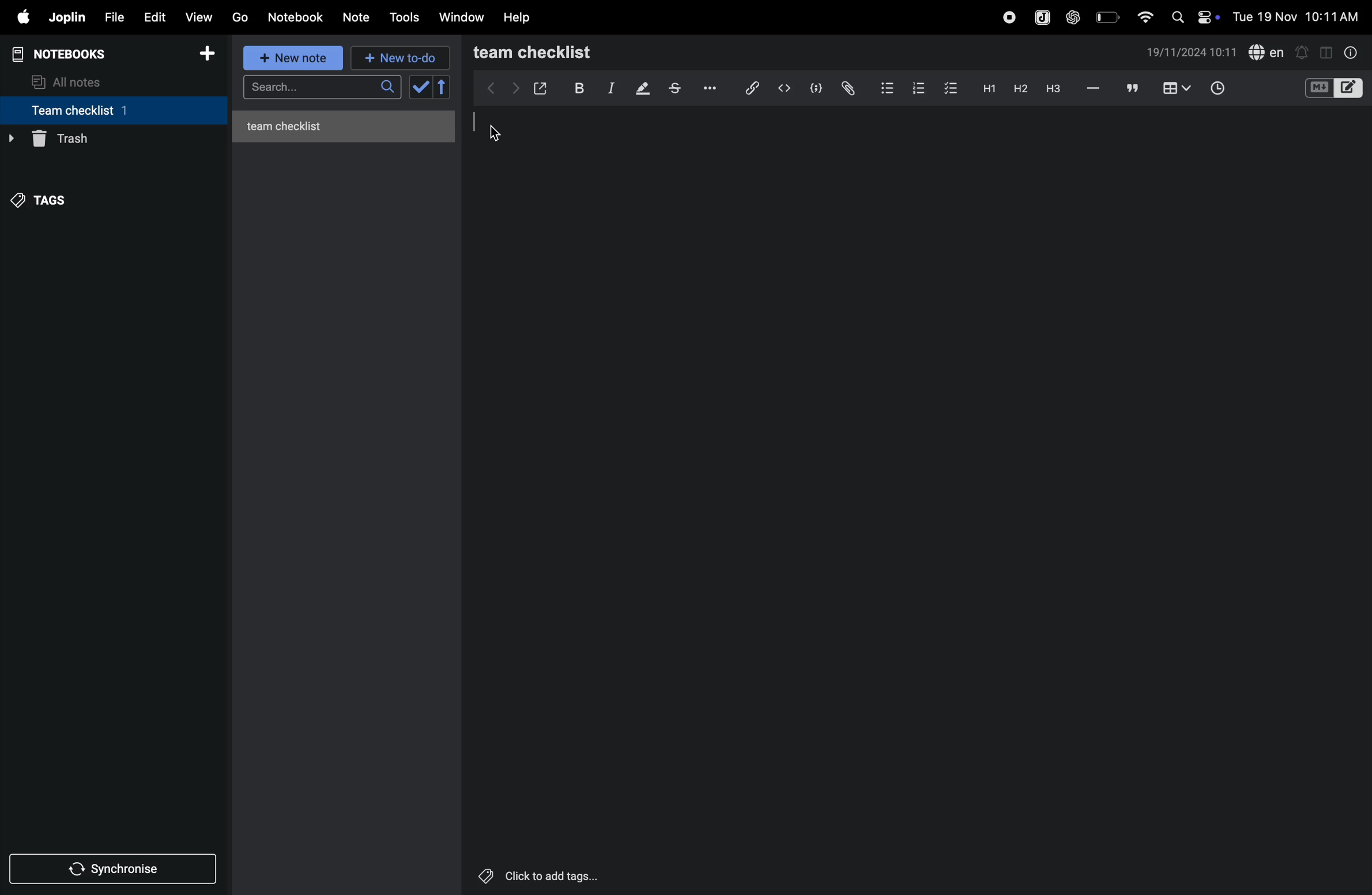  Describe the element at coordinates (1297, 17) in the screenshot. I see `date and time` at that location.